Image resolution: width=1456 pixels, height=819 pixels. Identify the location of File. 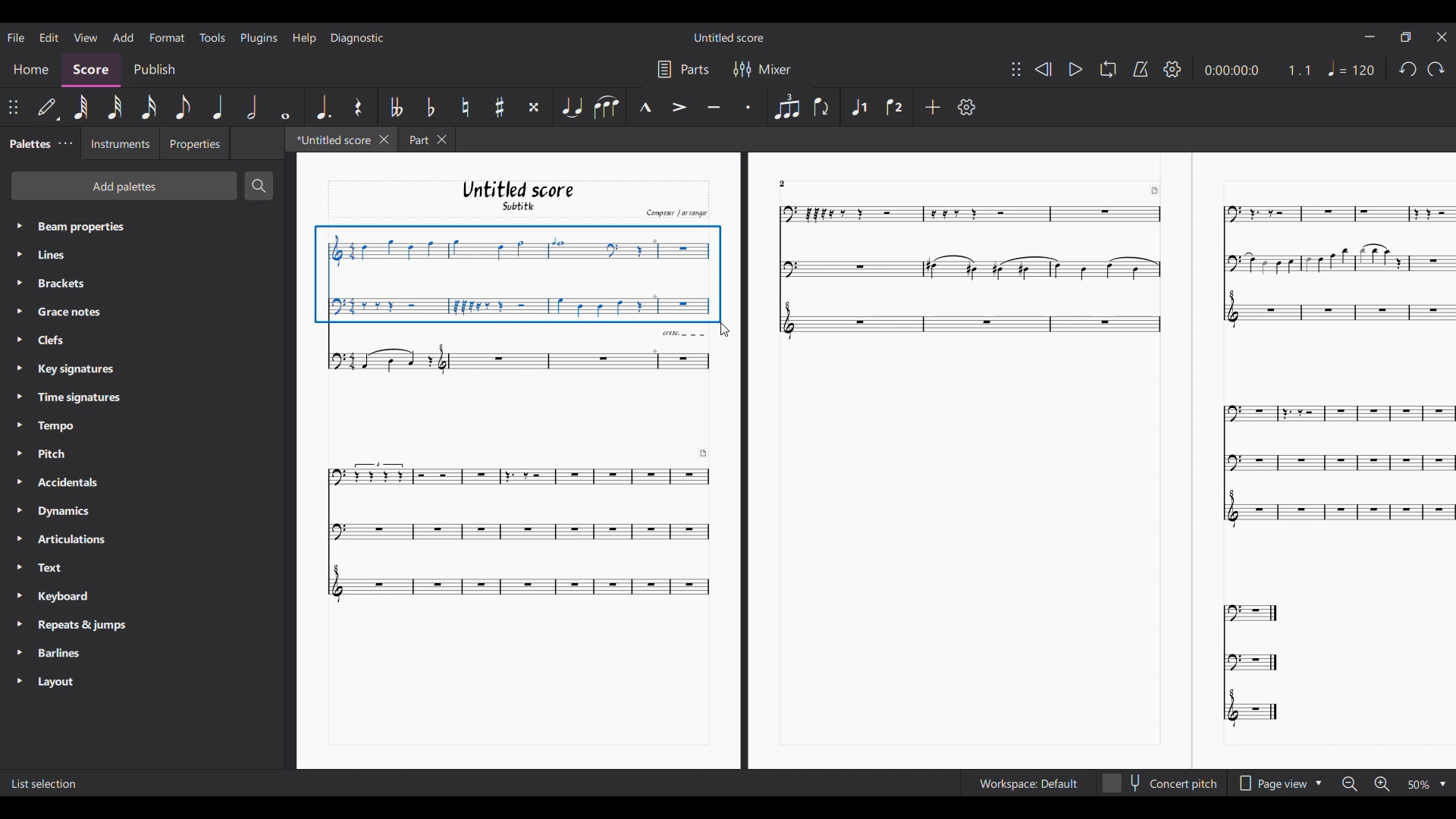
(16, 36).